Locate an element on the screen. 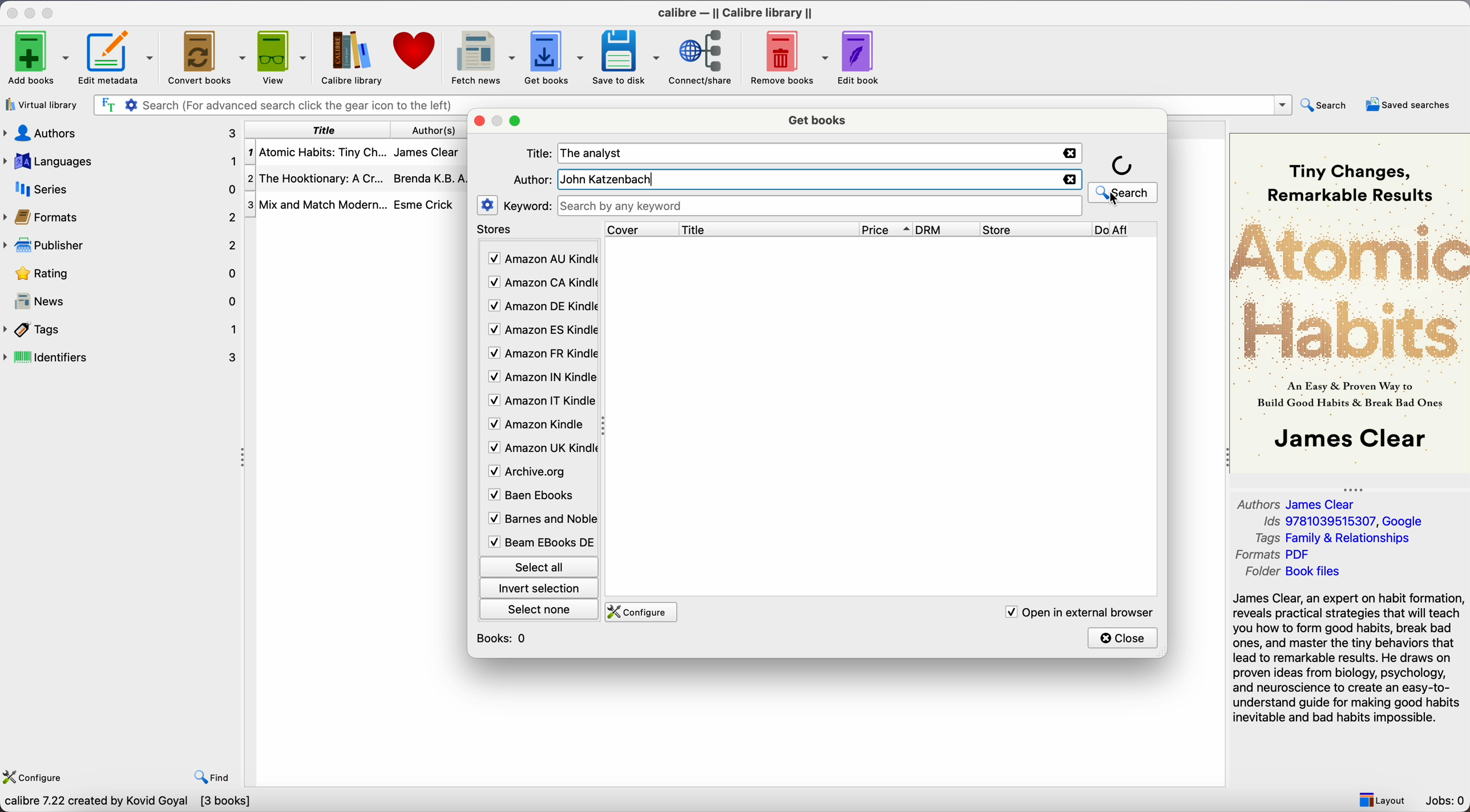  remove books is located at coordinates (789, 57).